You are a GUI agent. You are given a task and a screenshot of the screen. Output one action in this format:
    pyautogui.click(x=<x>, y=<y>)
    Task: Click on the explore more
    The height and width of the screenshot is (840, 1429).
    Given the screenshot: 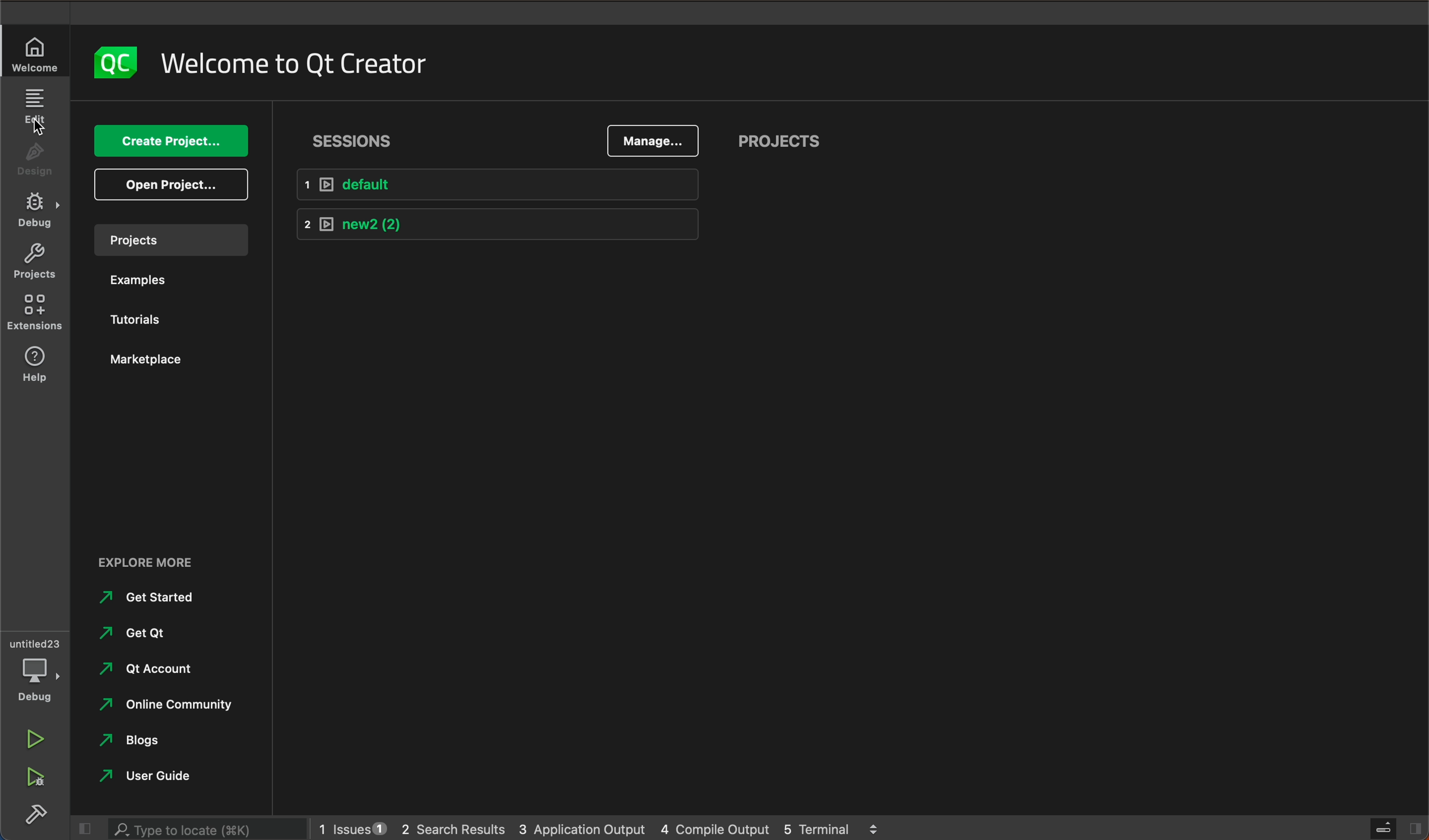 What is the action you would take?
    pyautogui.click(x=164, y=554)
    